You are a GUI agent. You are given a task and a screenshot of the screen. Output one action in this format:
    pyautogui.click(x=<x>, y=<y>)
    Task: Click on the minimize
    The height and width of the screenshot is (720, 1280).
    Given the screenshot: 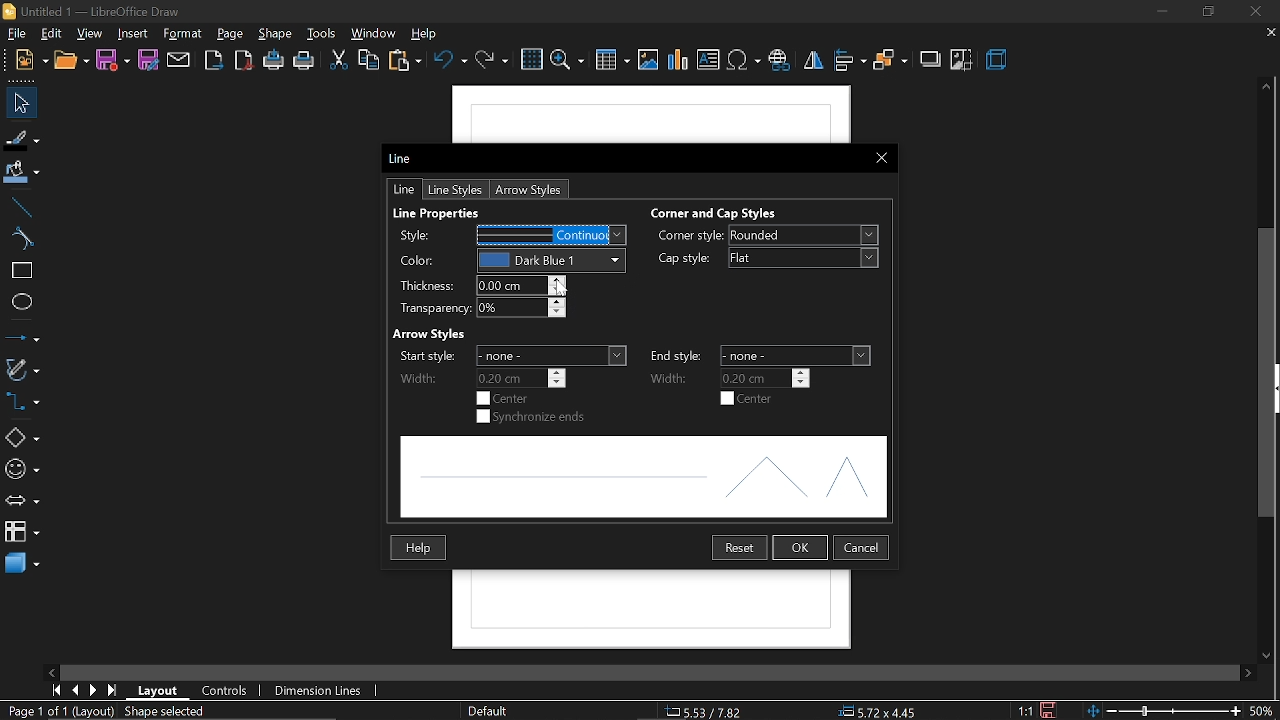 What is the action you would take?
    pyautogui.click(x=1160, y=12)
    